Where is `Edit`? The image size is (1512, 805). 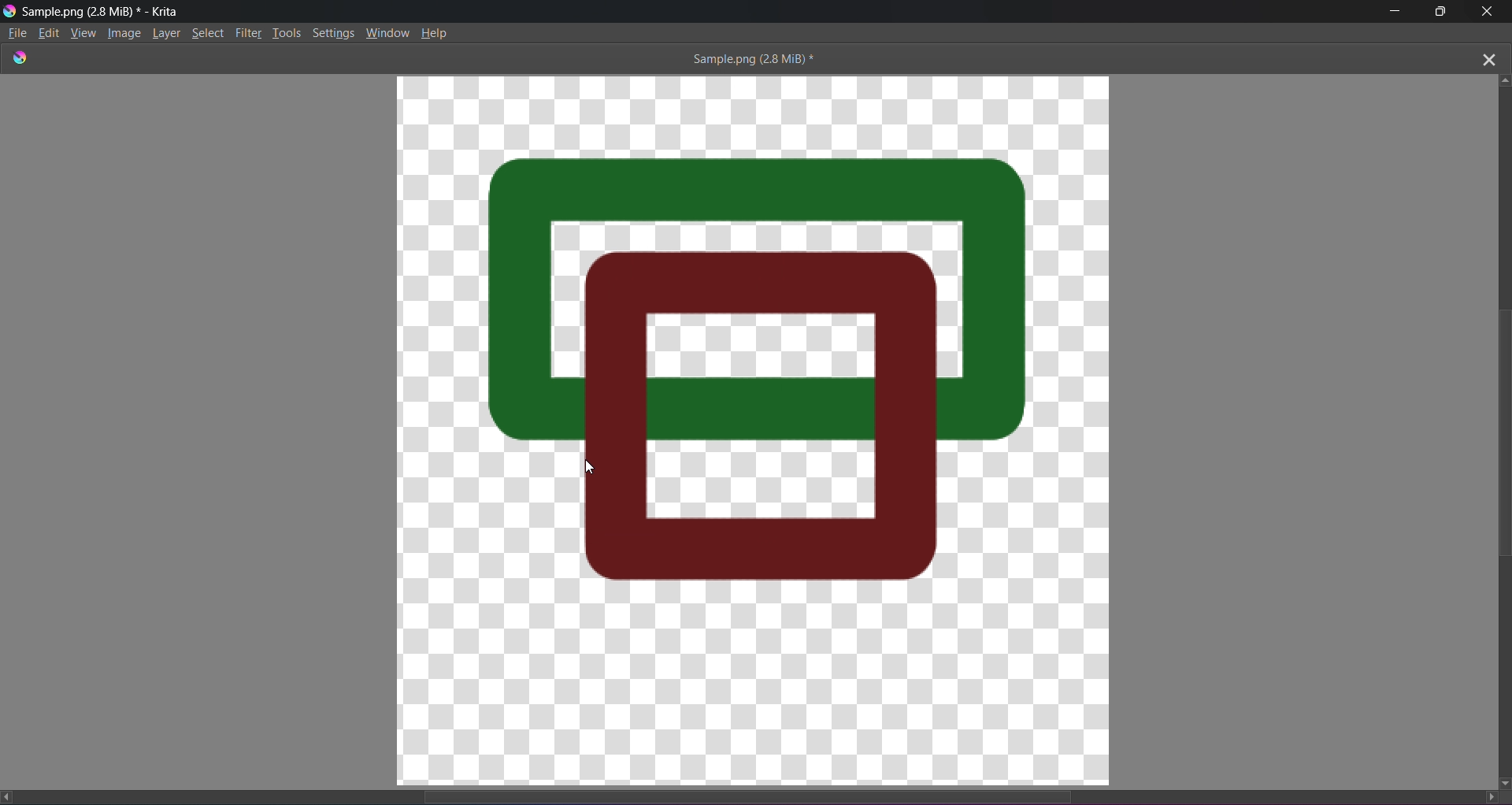 Edit is located at coordinates (50, 32).